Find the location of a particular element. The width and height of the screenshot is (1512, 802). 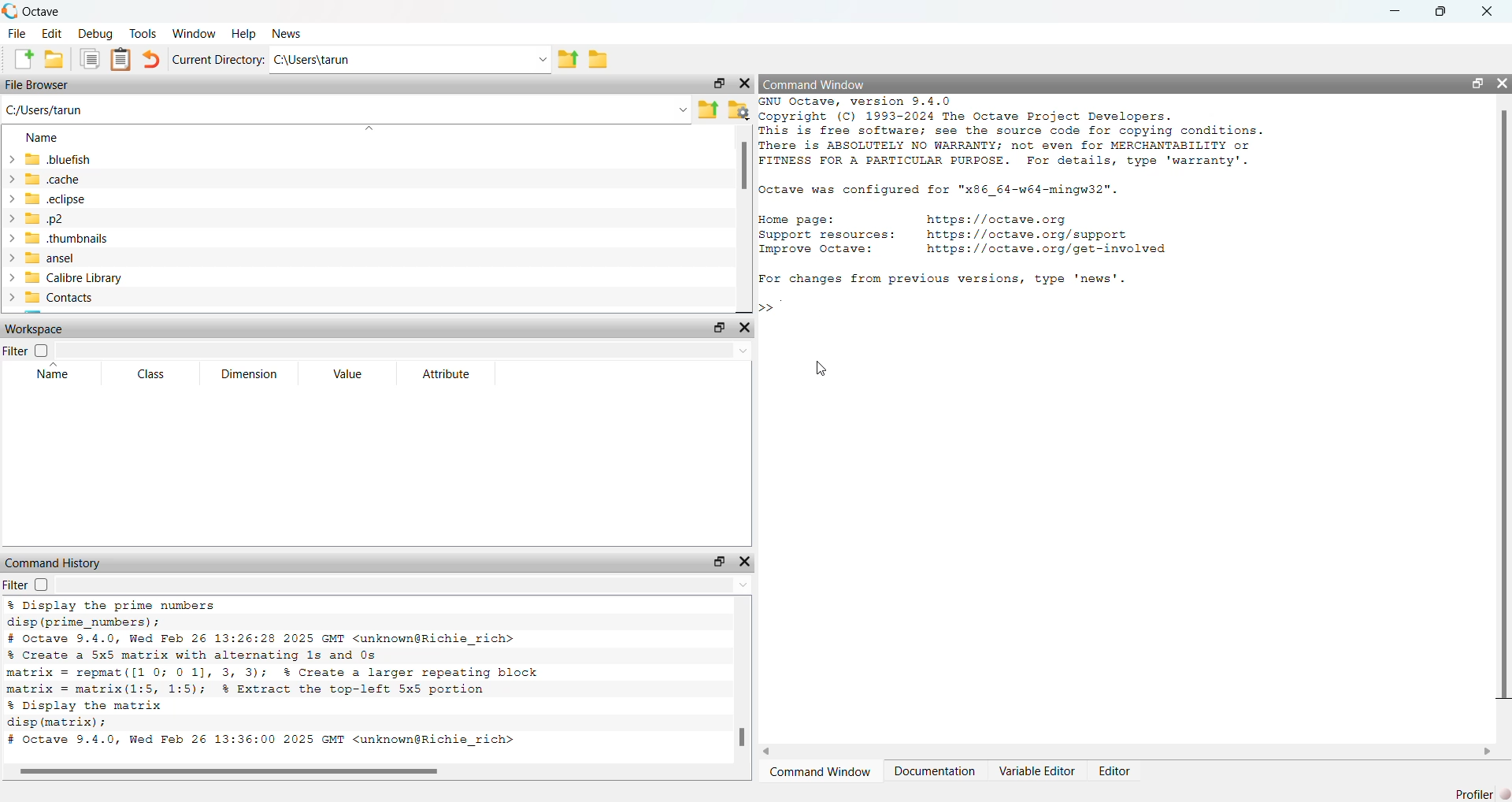

hide widget is located at coordinates (746, 329).